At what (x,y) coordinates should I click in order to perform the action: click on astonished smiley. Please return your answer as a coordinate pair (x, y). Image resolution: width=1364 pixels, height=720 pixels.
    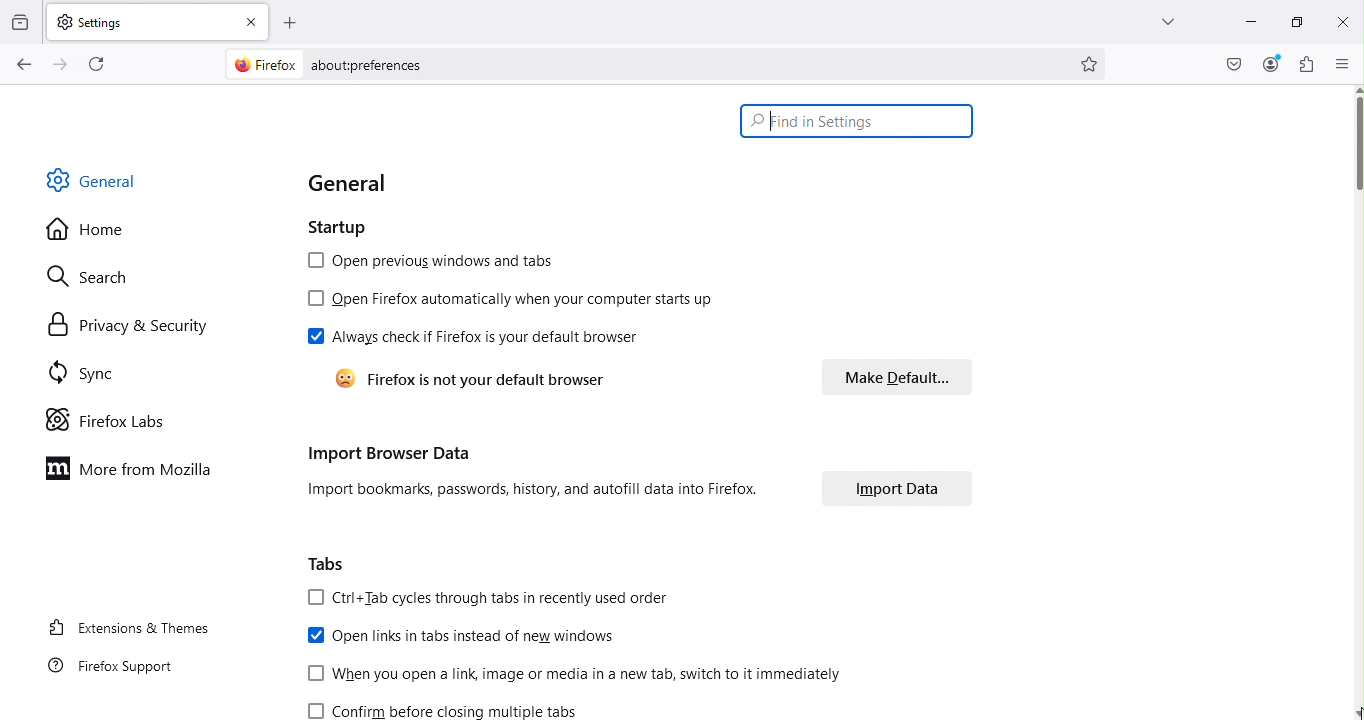
    Looking at the image, I should click on (340, 379).